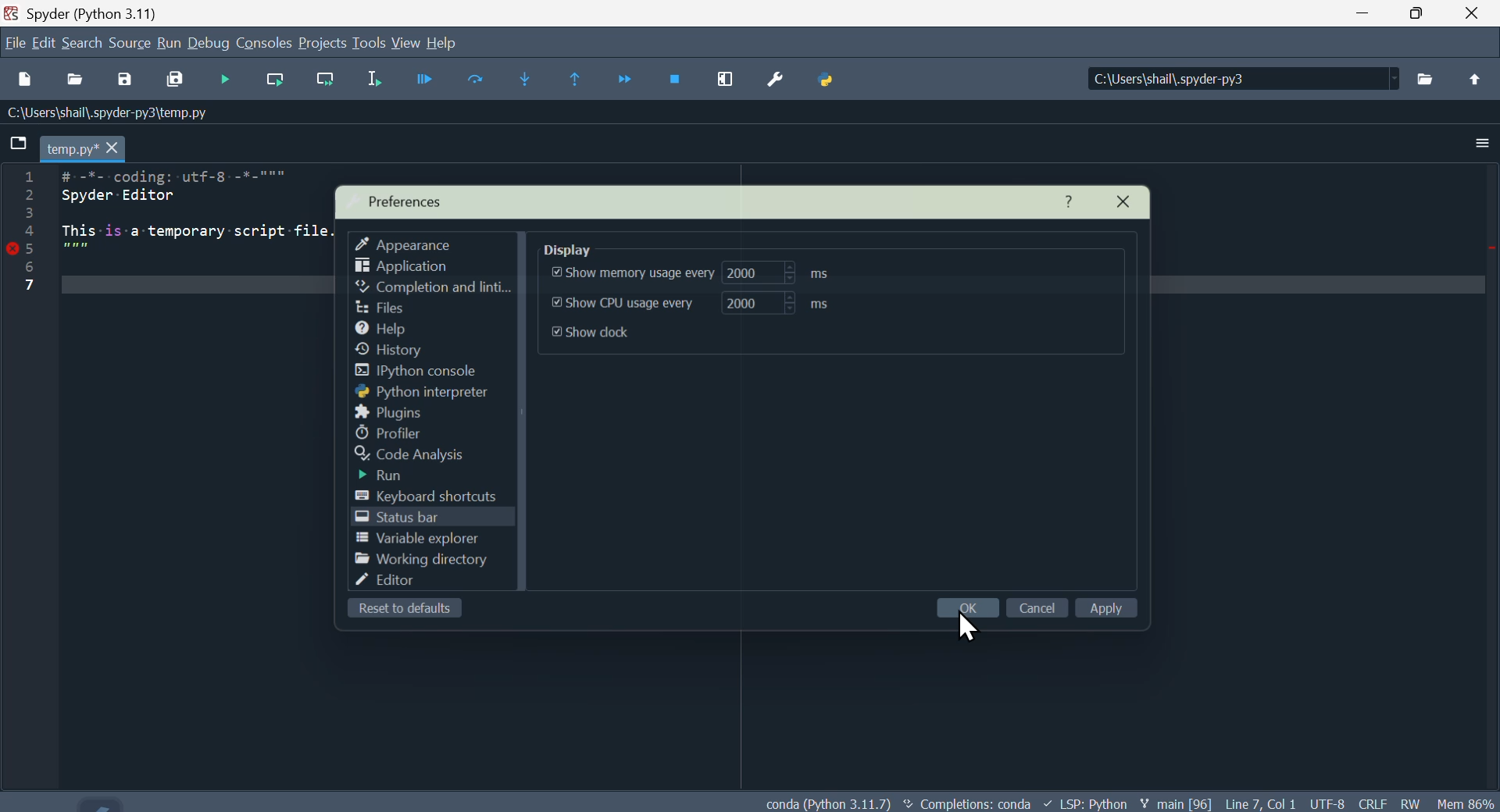 This screenshot has width=1500, height=812. Describe the element at coordinates (168, 42) in the screenshot. I see `` at that location.